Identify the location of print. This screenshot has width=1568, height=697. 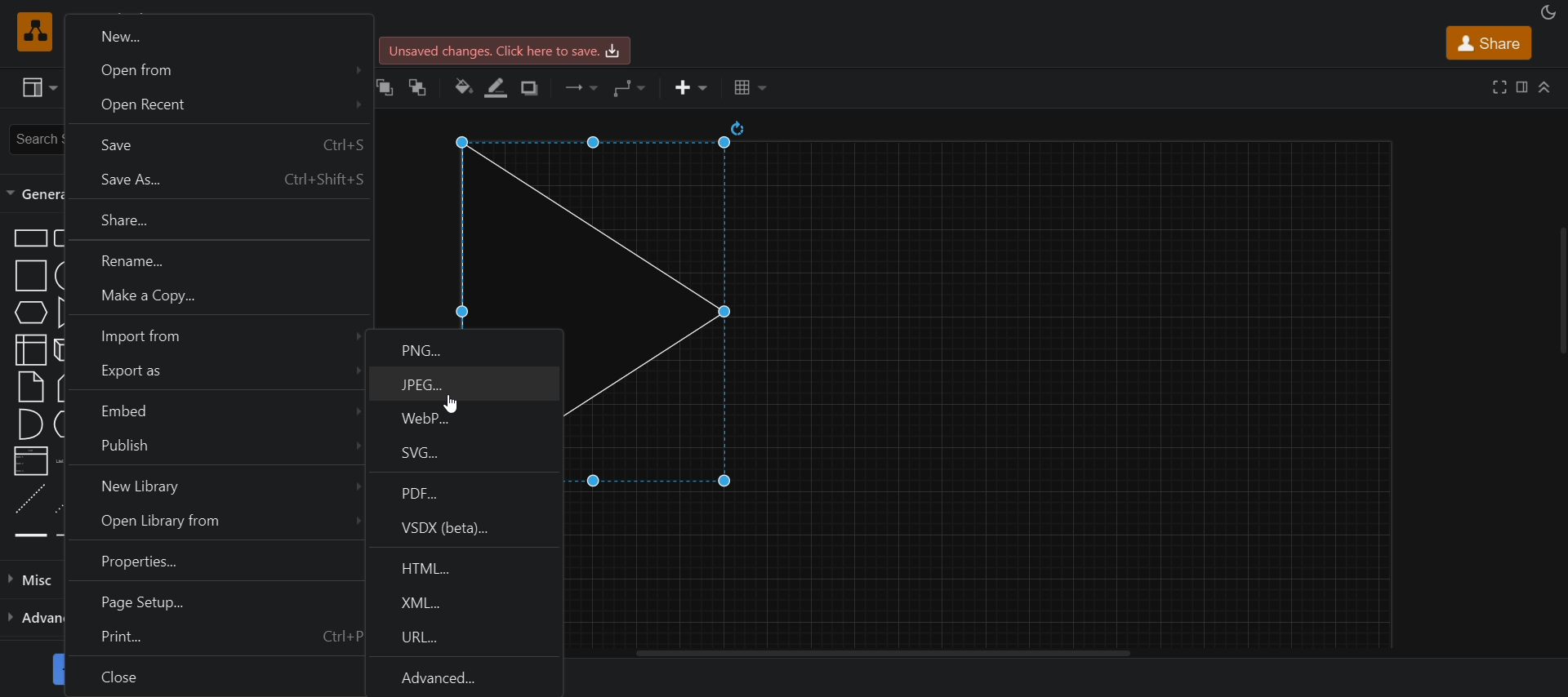
(212, 639).